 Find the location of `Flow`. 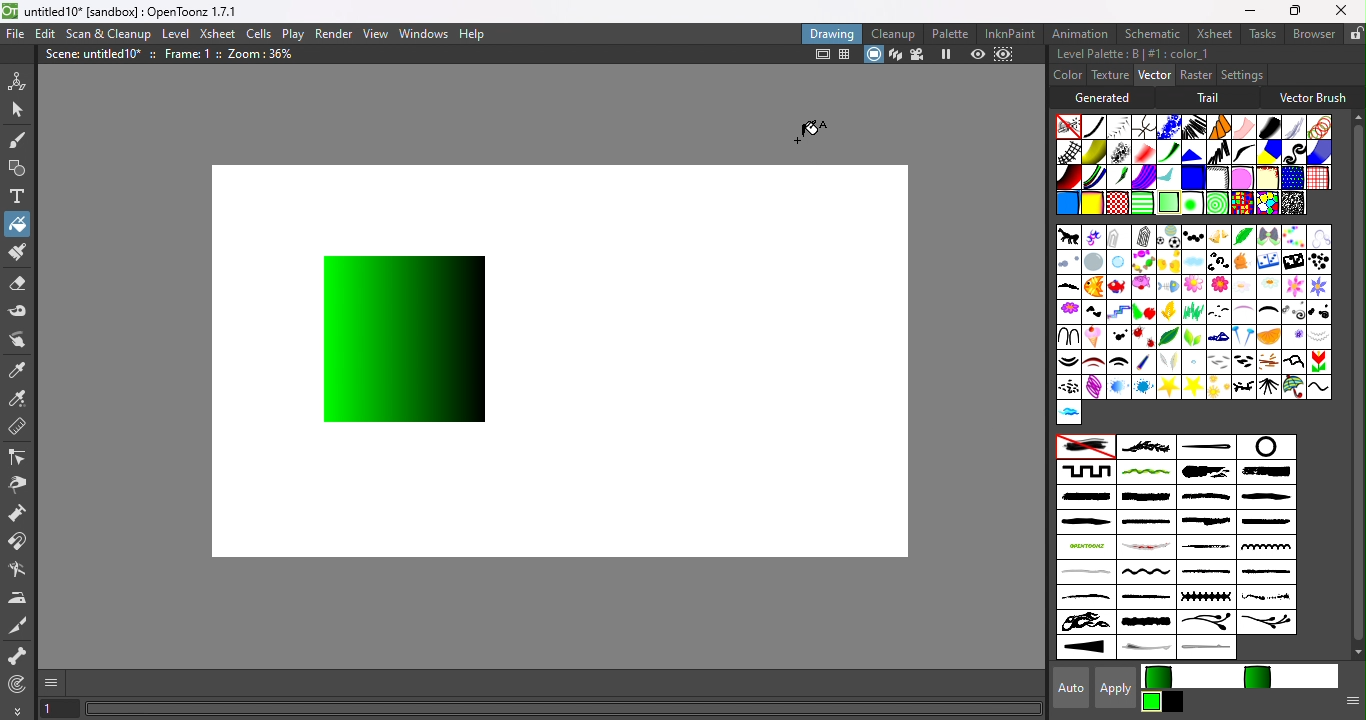

Flow is located at coordinates (1192, 288).